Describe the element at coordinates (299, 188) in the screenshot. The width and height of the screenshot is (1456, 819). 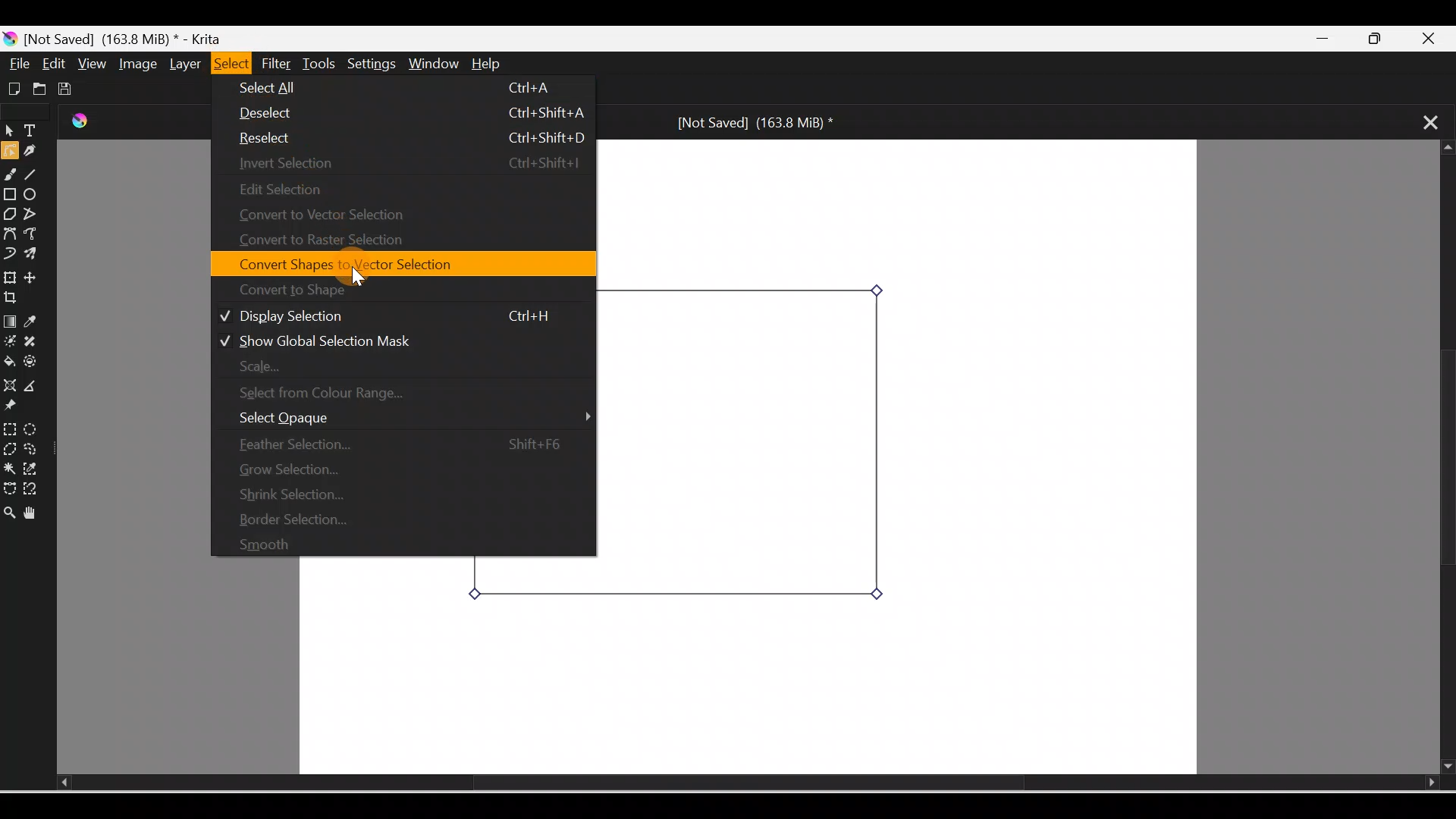
I see `Edit selection` at that location.